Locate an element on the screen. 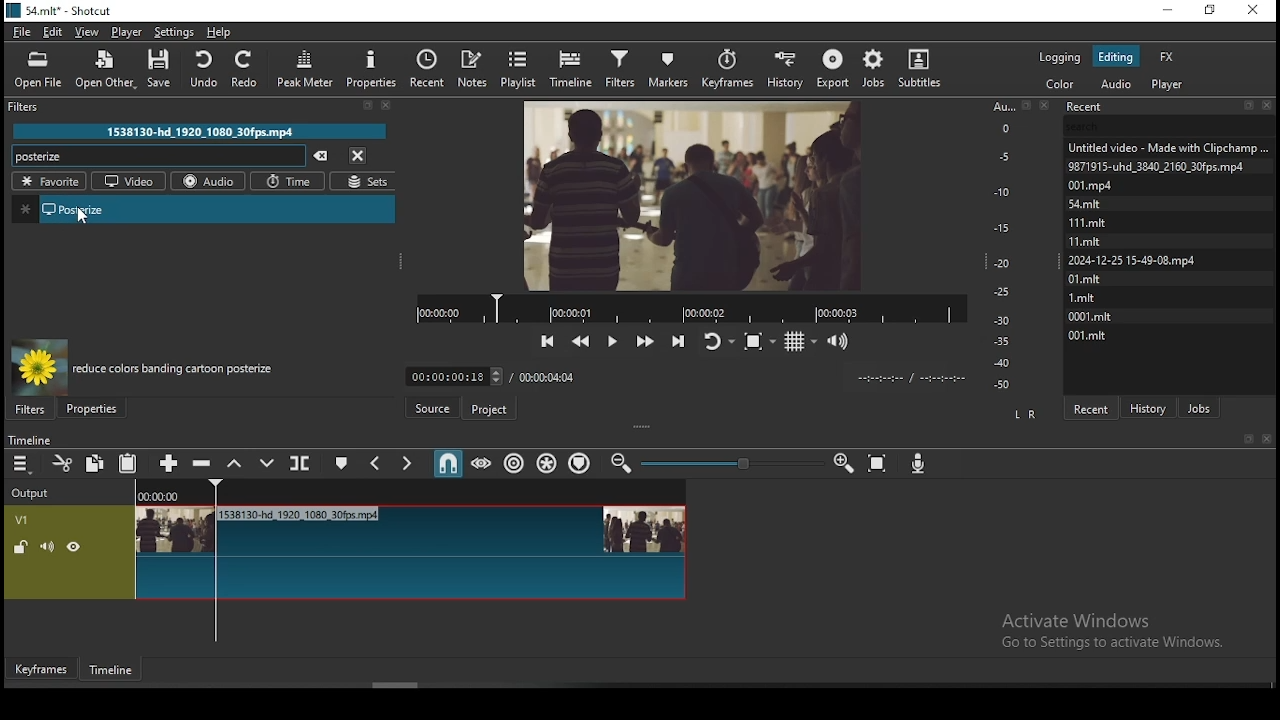  logging is located at coordinates (1059, 55).